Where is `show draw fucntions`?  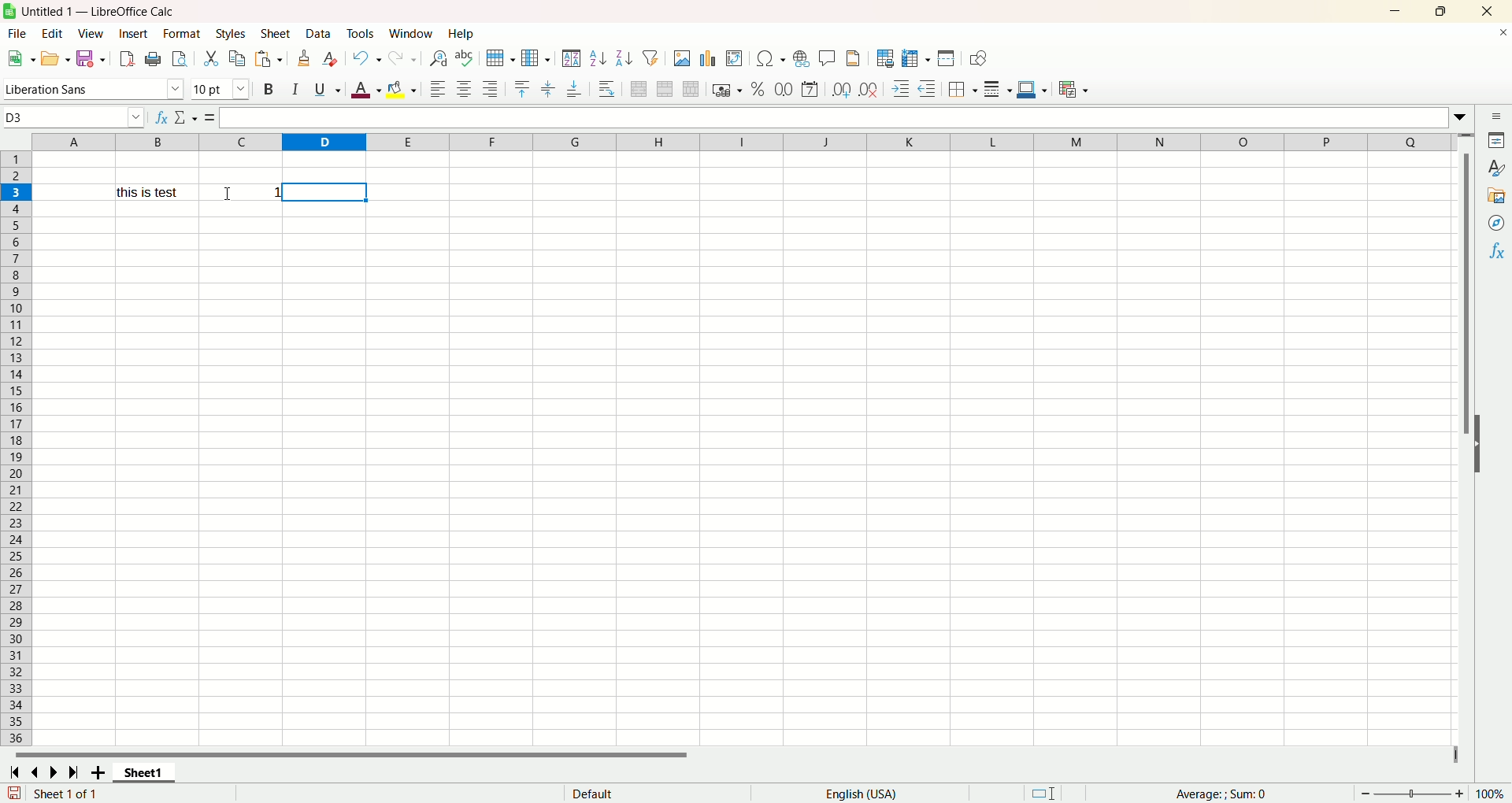 show draw fucntions is located at coordinates (978, 58).